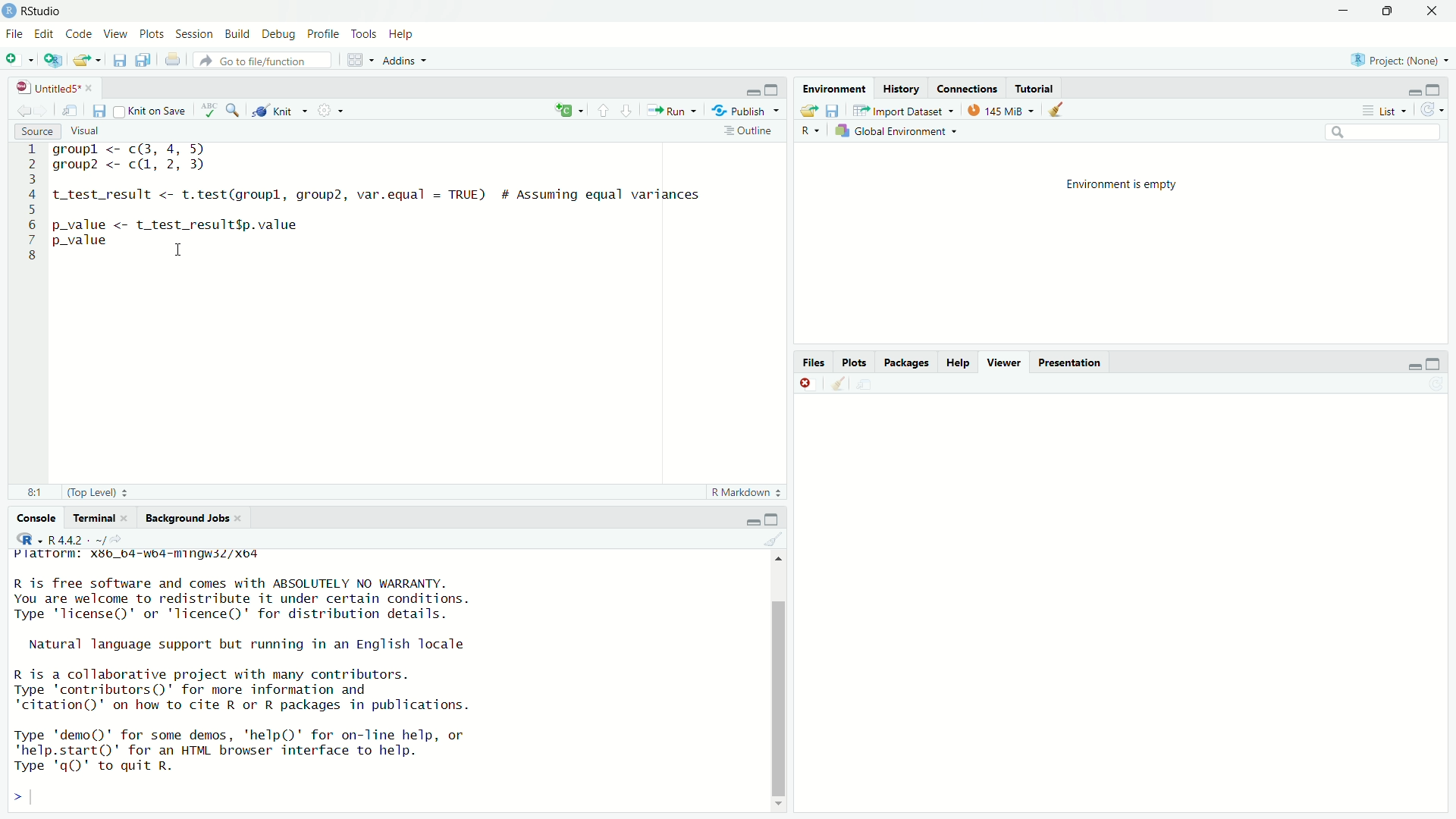 The height and width of the screenshot is (819, 1456). I want to click on History, so click(900, 87).